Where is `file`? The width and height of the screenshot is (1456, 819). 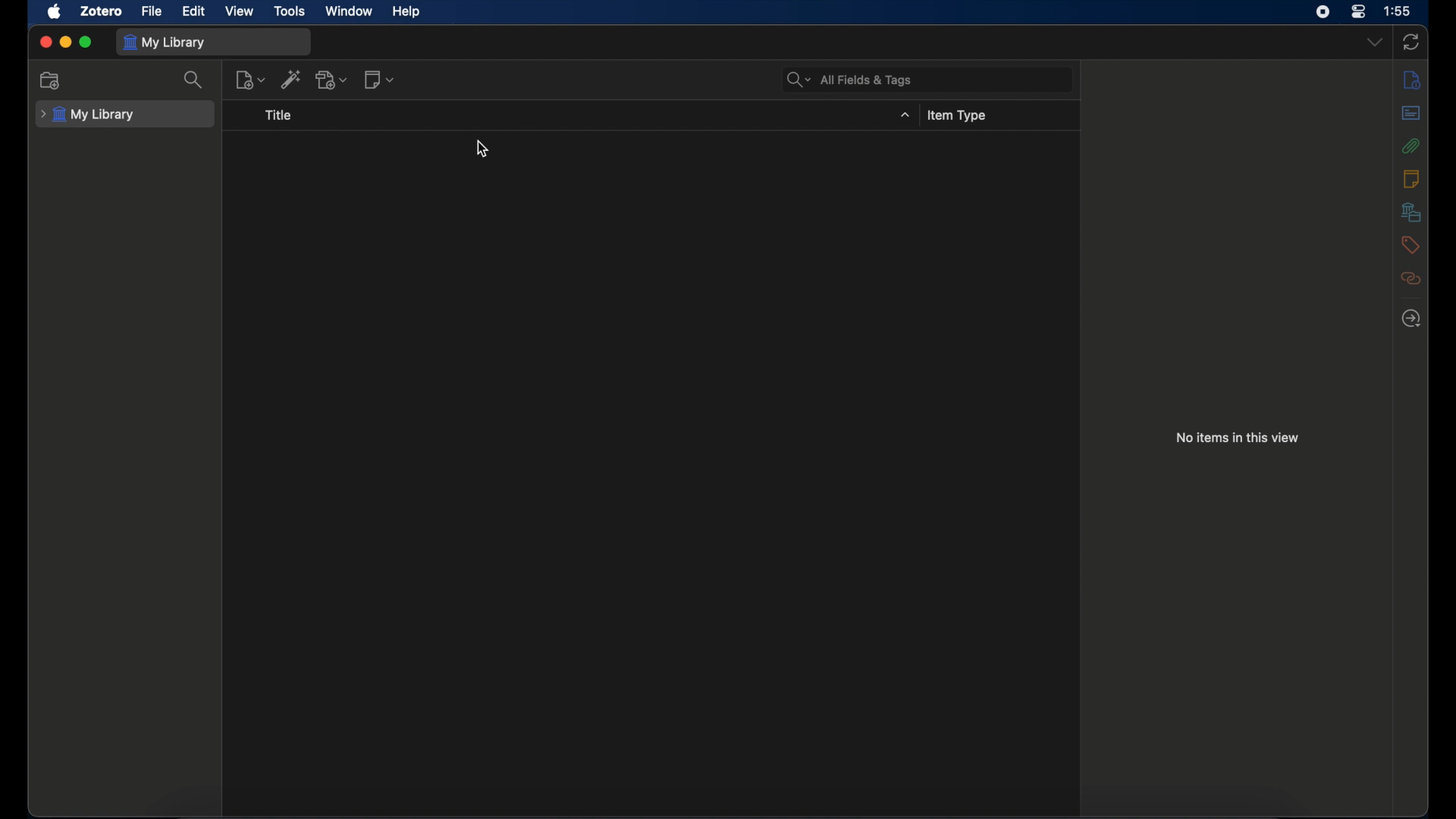 file is located at coordinates (152, 11).